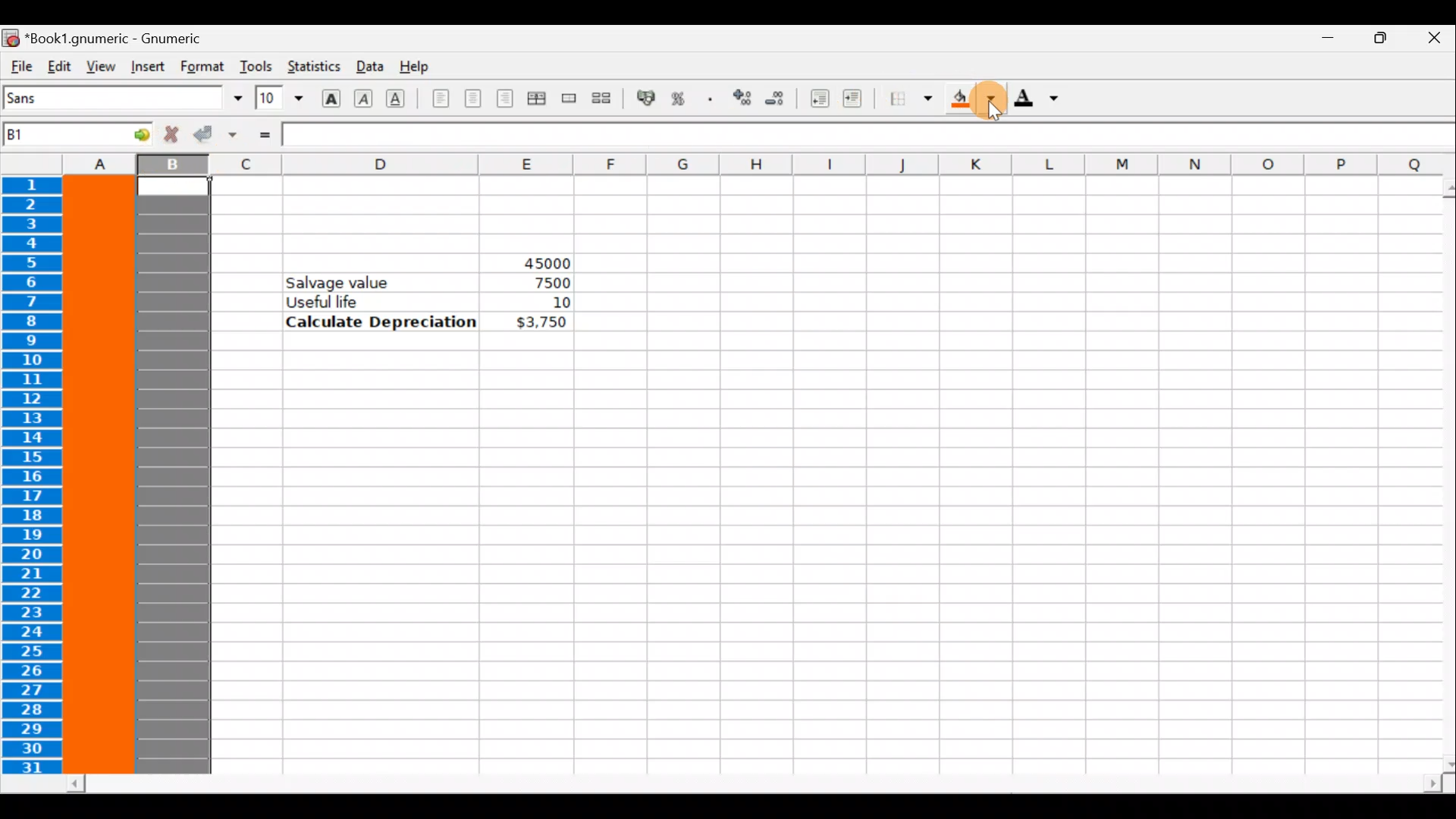 This screenshot has height=819, width=1456. I want to click on View, so click(96, 65).